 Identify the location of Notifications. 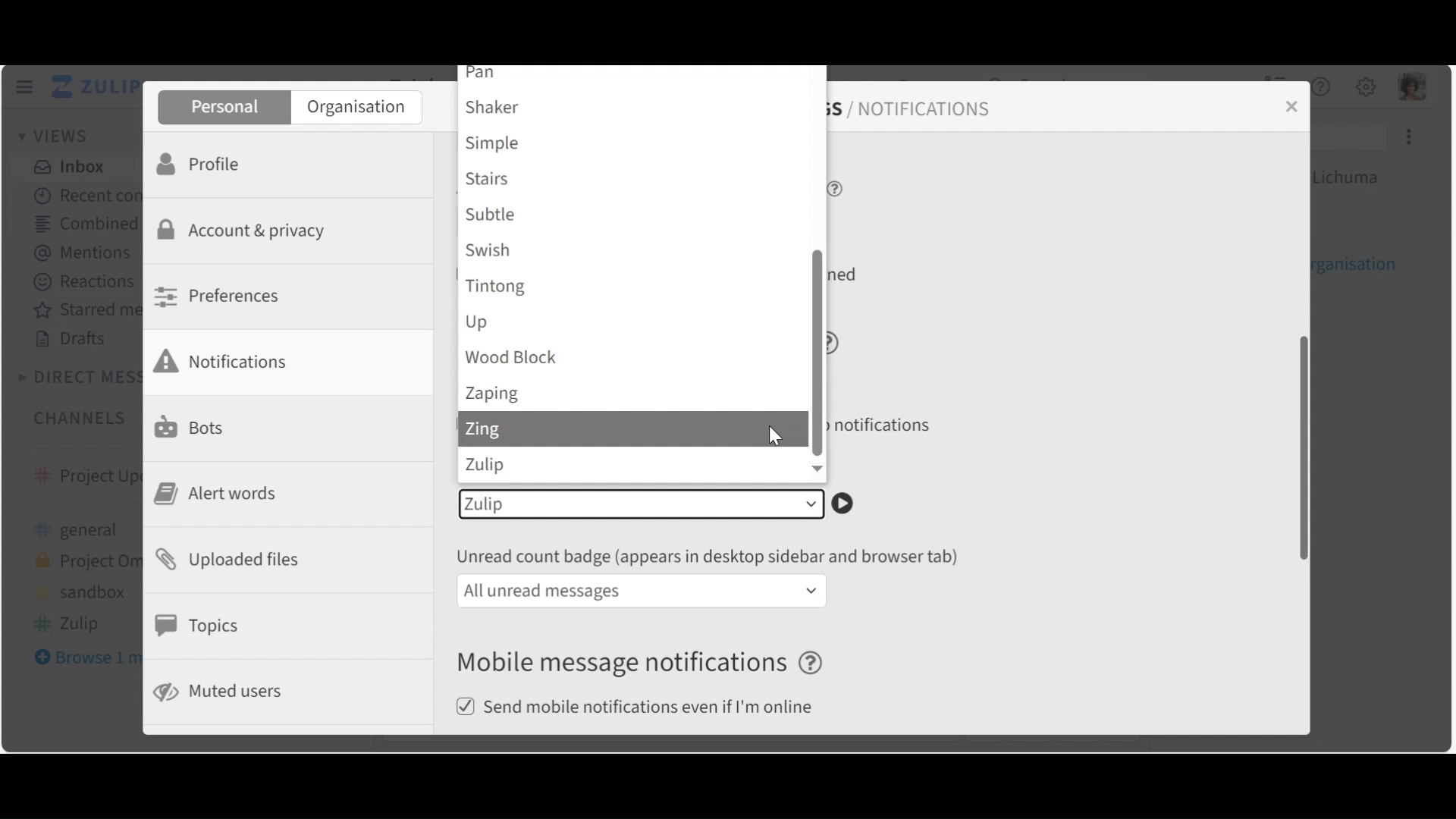
(231, 361).